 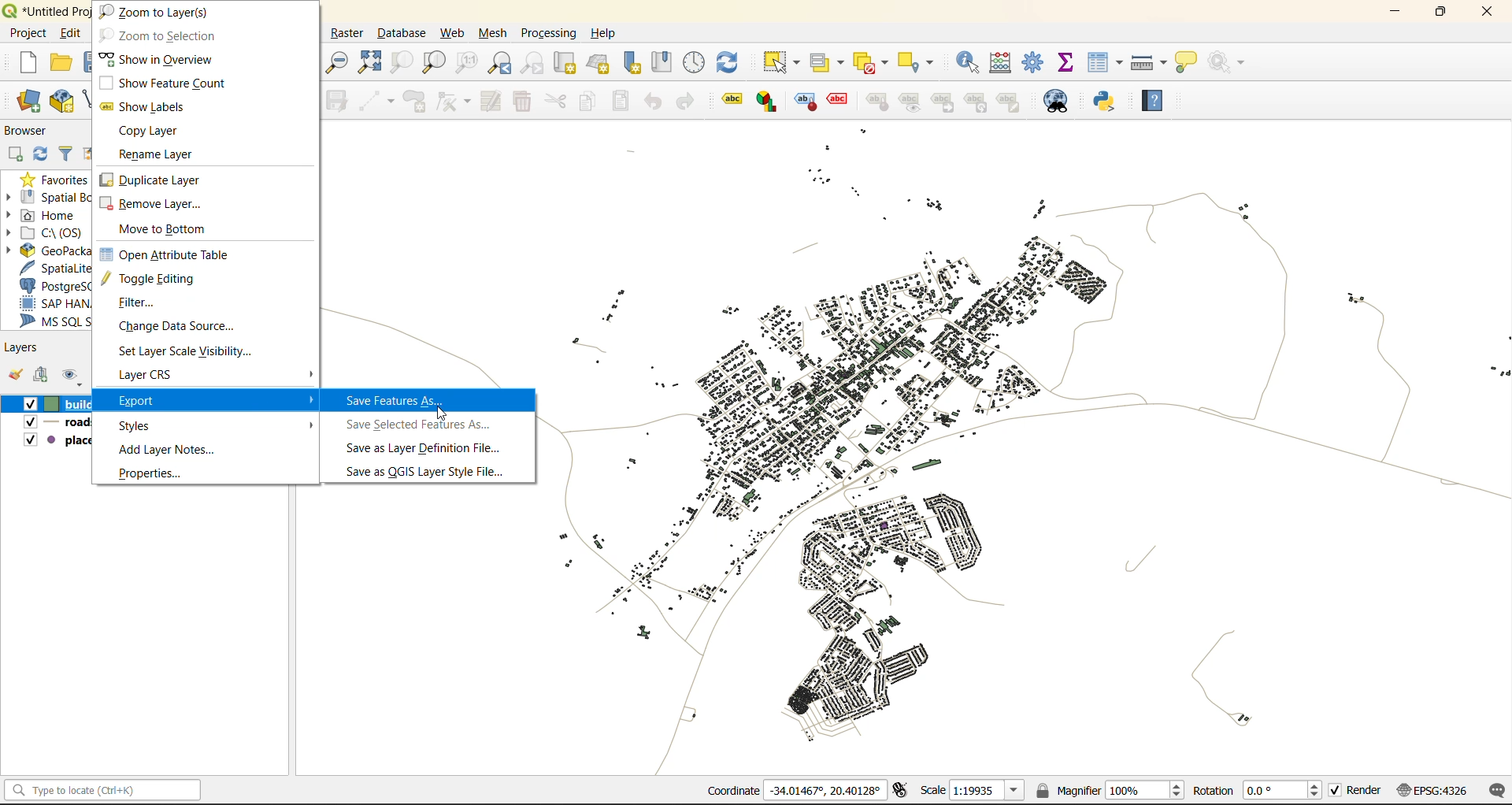 What do you see at coordinates (521, 103) in the screenshot?
I see `delete` at bounding box center [521, 103].